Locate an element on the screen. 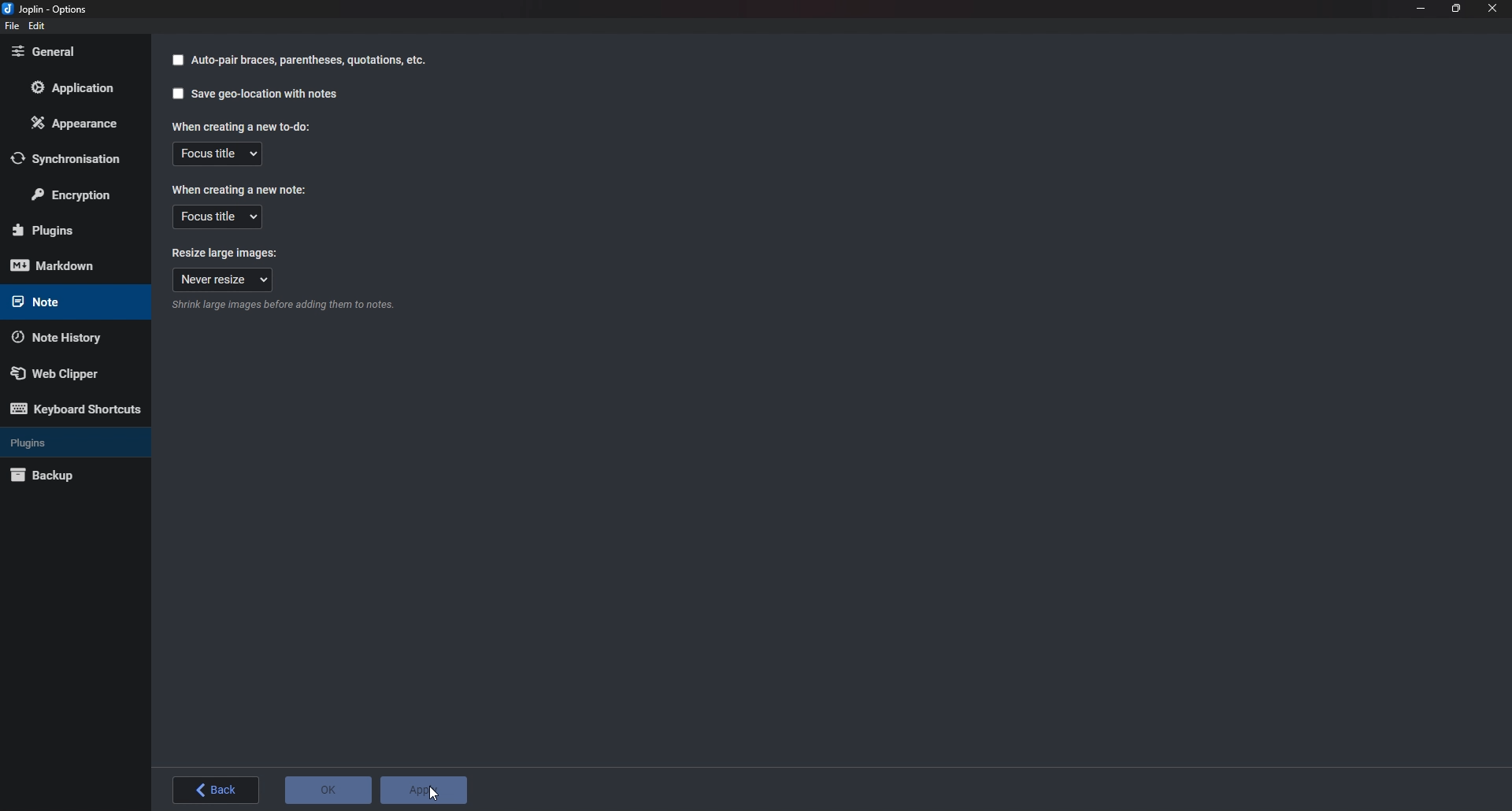 This screenshot has height=811, width=1512. mark down is located at coordinates (69, 266).